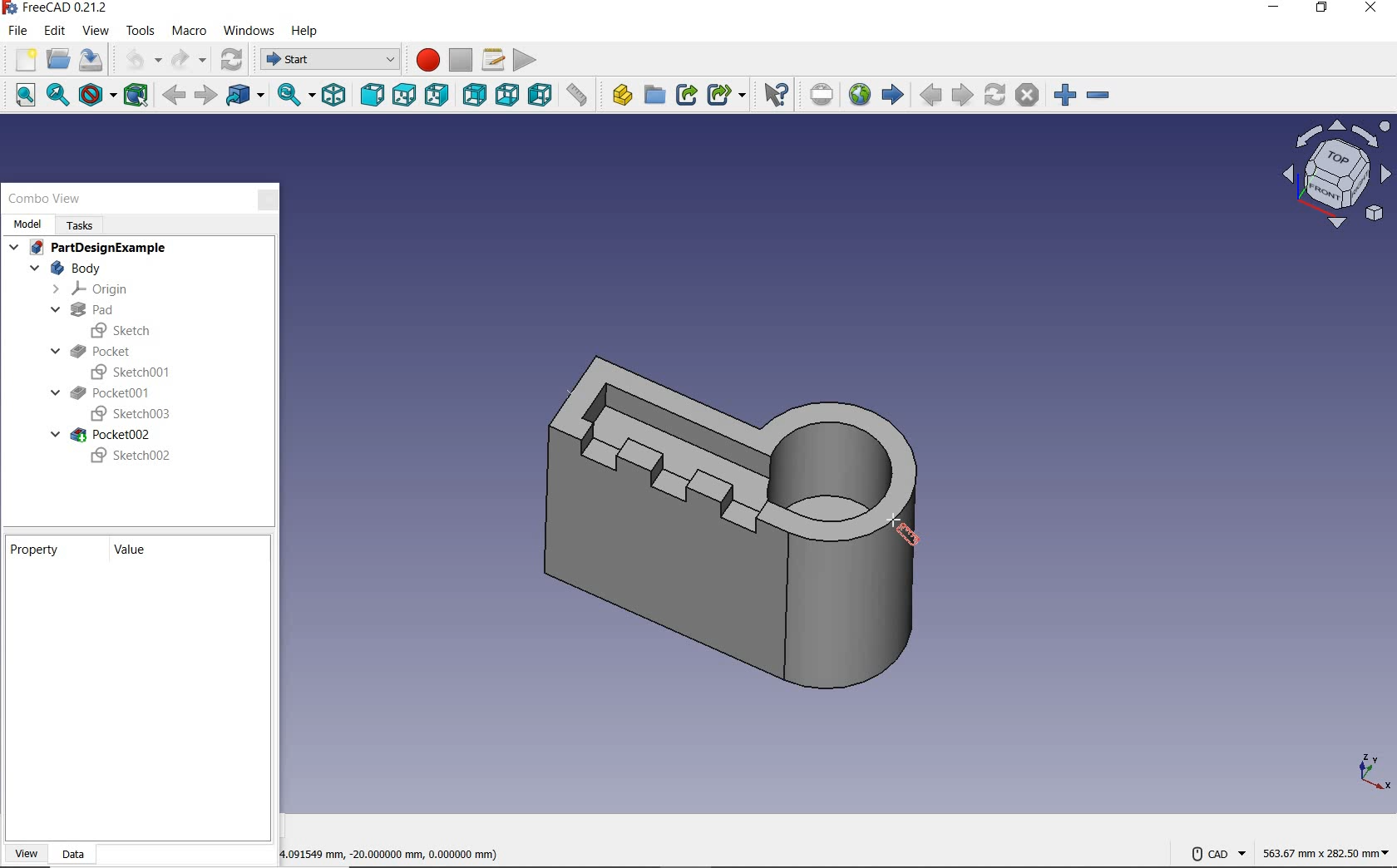  I want to click on BODY, so click(64, 269).